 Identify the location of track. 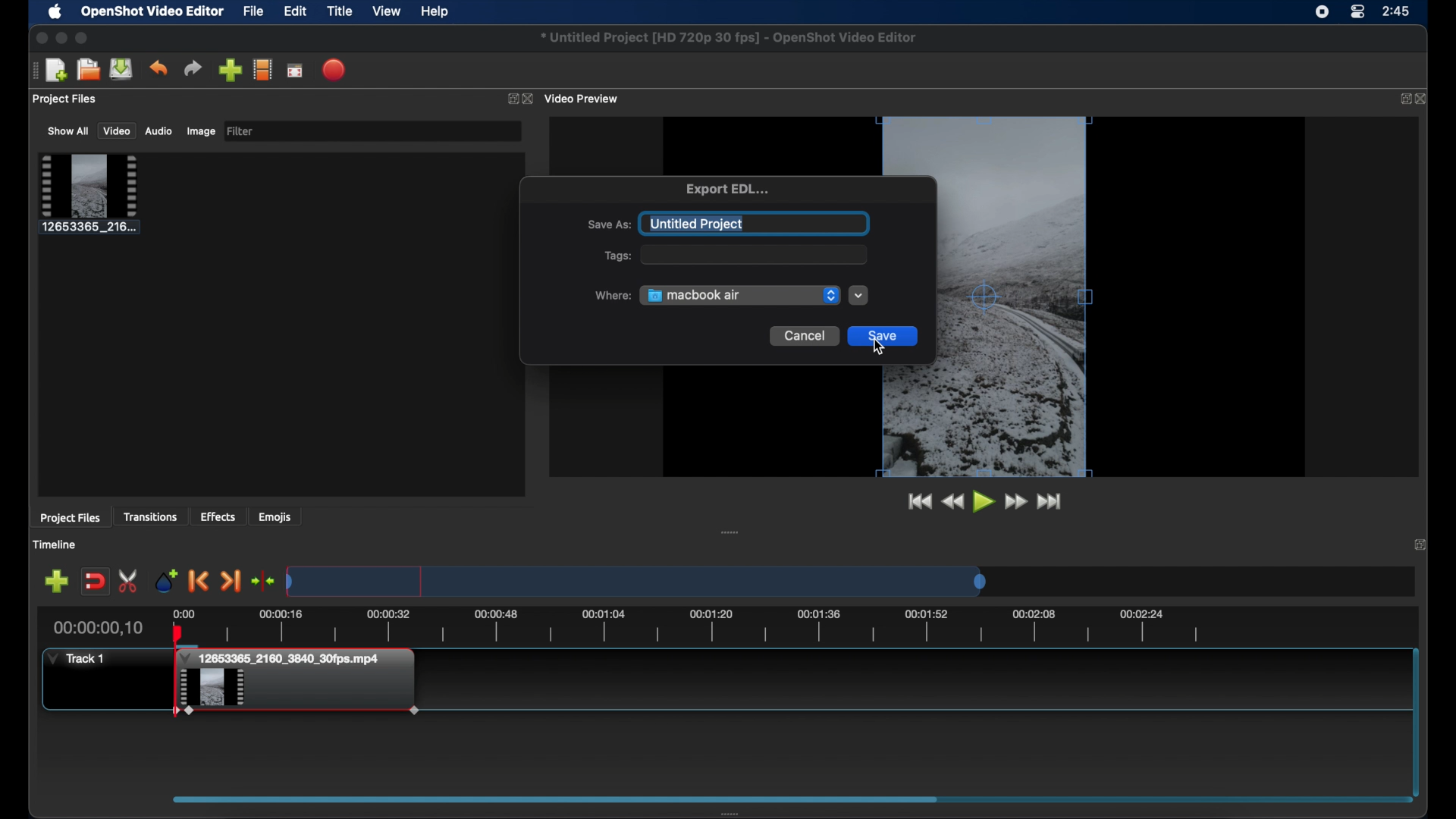
(77, 657).